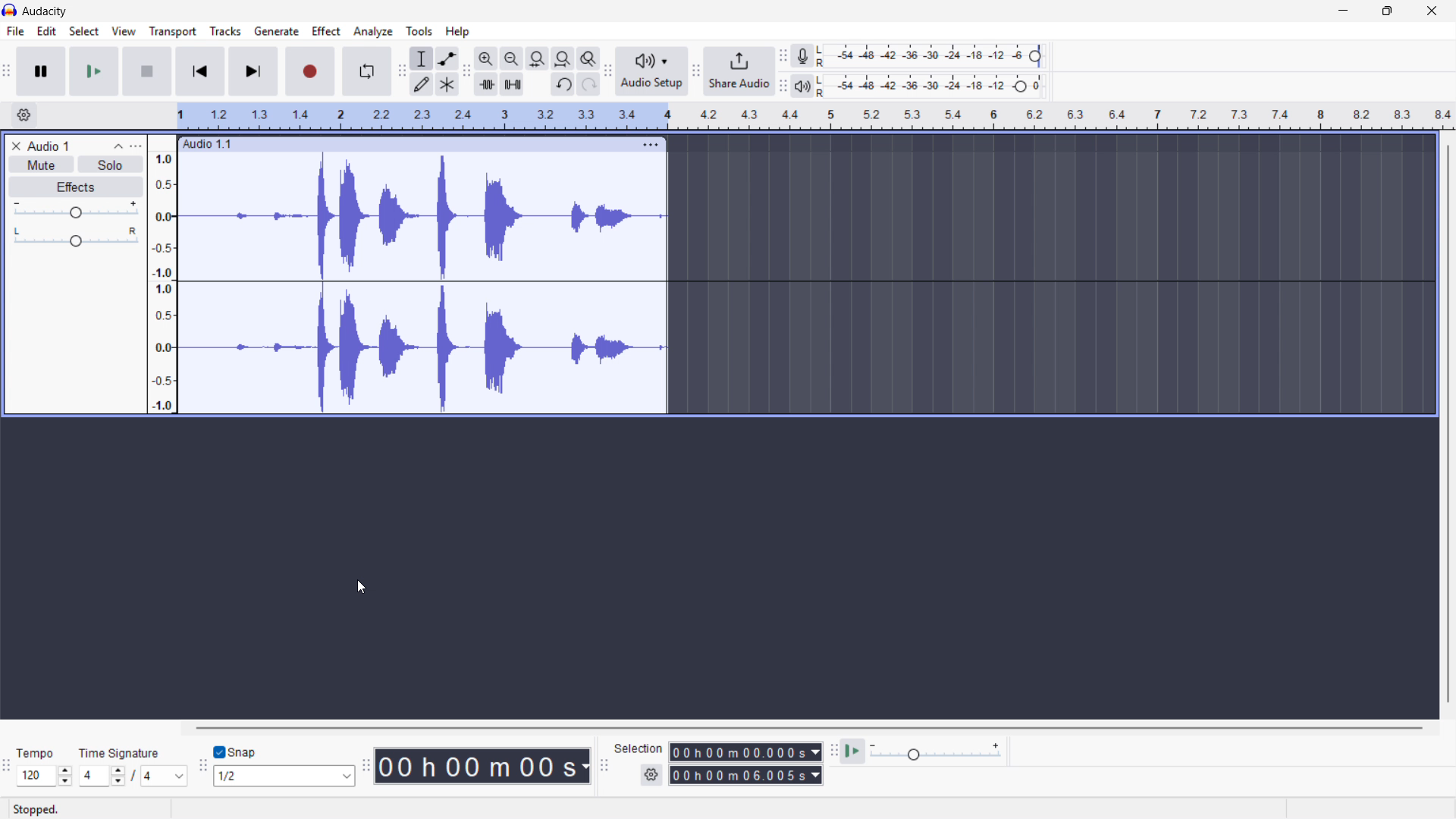  I want to click on Vertical scrollbar, so click(1448, 424).